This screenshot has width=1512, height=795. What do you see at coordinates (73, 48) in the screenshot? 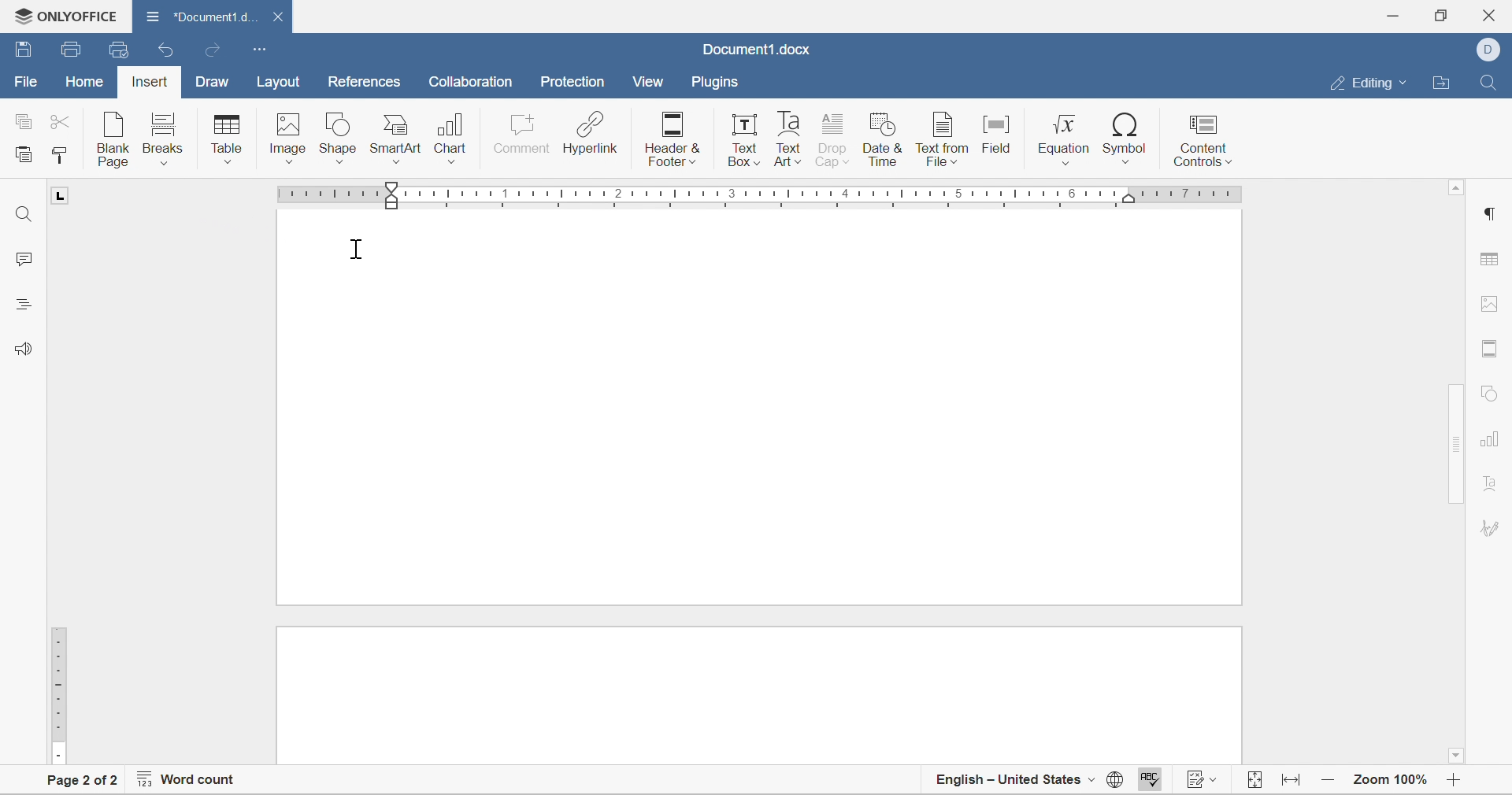
I see `Print file` at bounding box center [73, 48].